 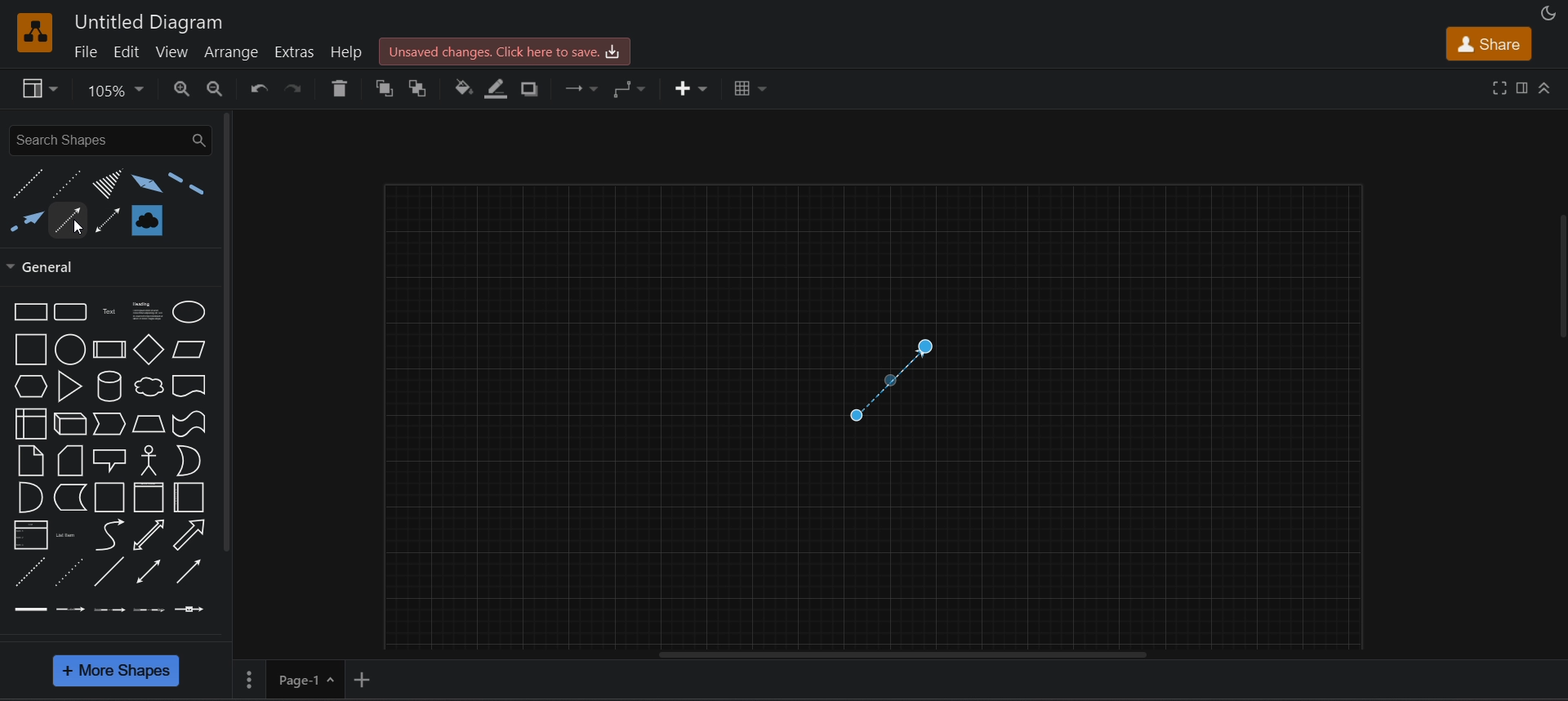 What do you see at coordinates (126, 51) in the screenshot?
I see `edit` at bounding box center [126, 51].